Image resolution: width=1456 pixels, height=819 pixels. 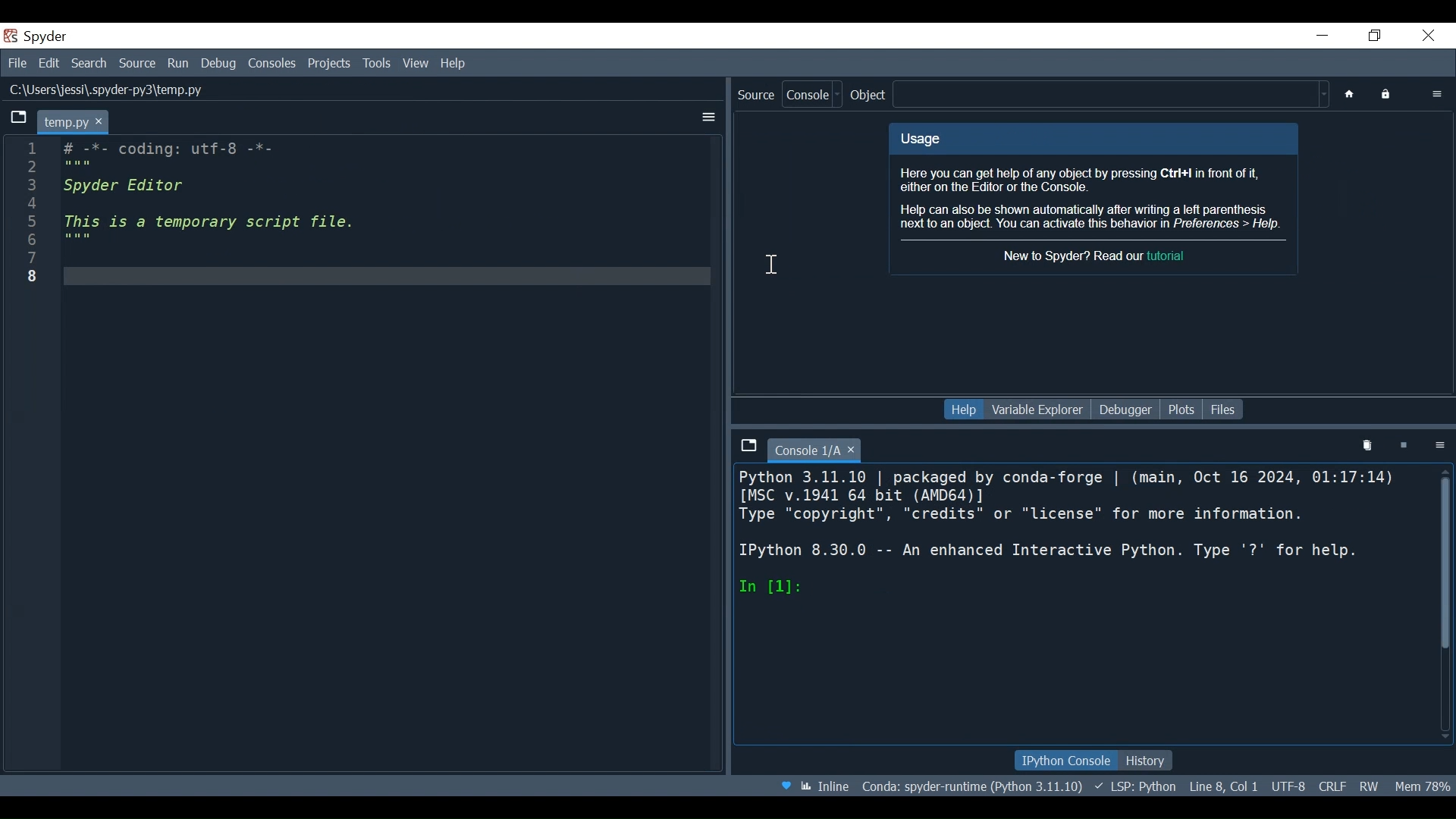 I want to click on More options, so click(x=709, y=118).